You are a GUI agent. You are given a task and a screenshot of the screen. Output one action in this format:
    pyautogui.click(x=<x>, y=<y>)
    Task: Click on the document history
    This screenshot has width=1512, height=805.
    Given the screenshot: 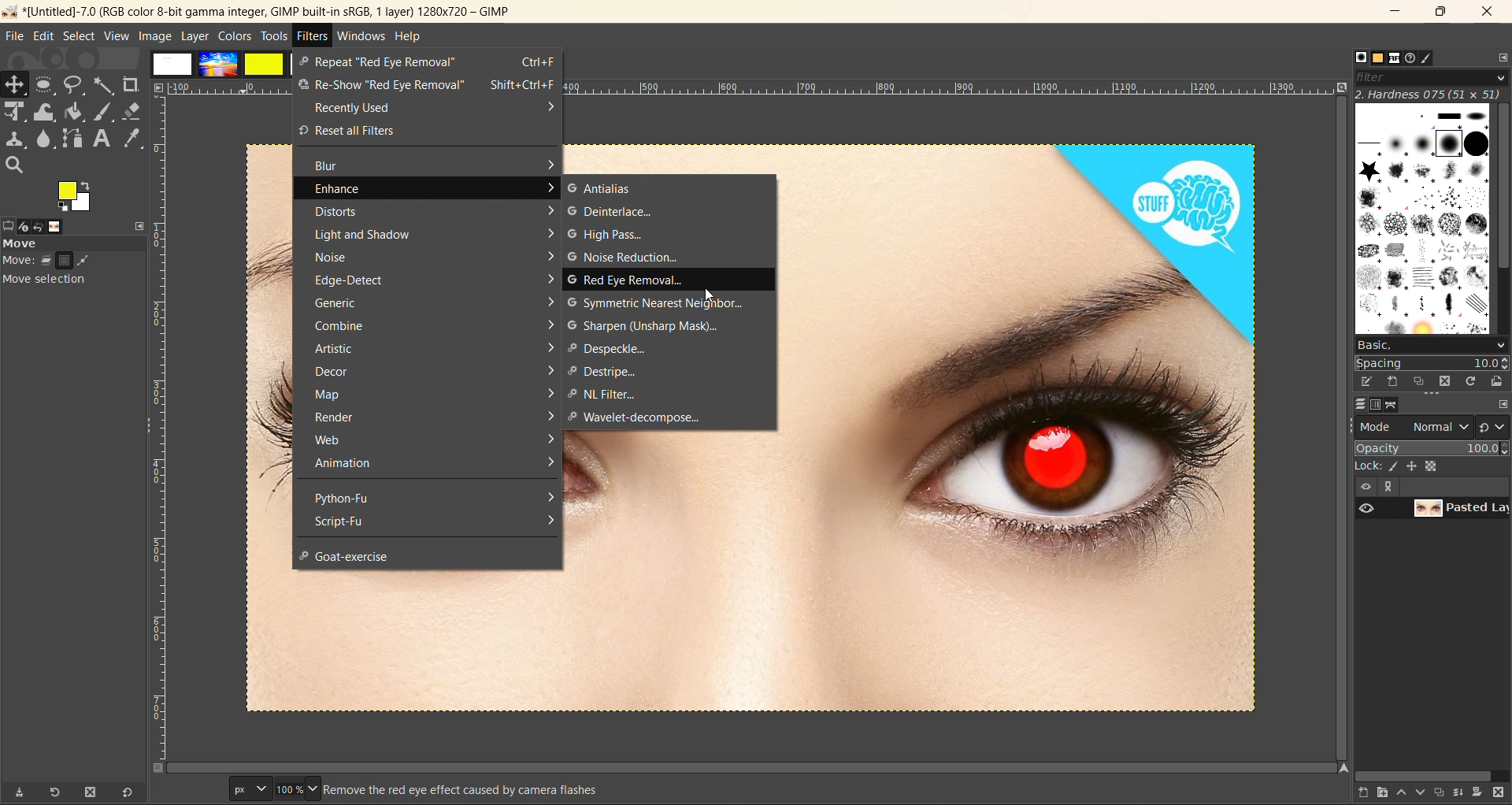 What is the action you would take?
    pyautogui.click(x=1412, y=58)
    